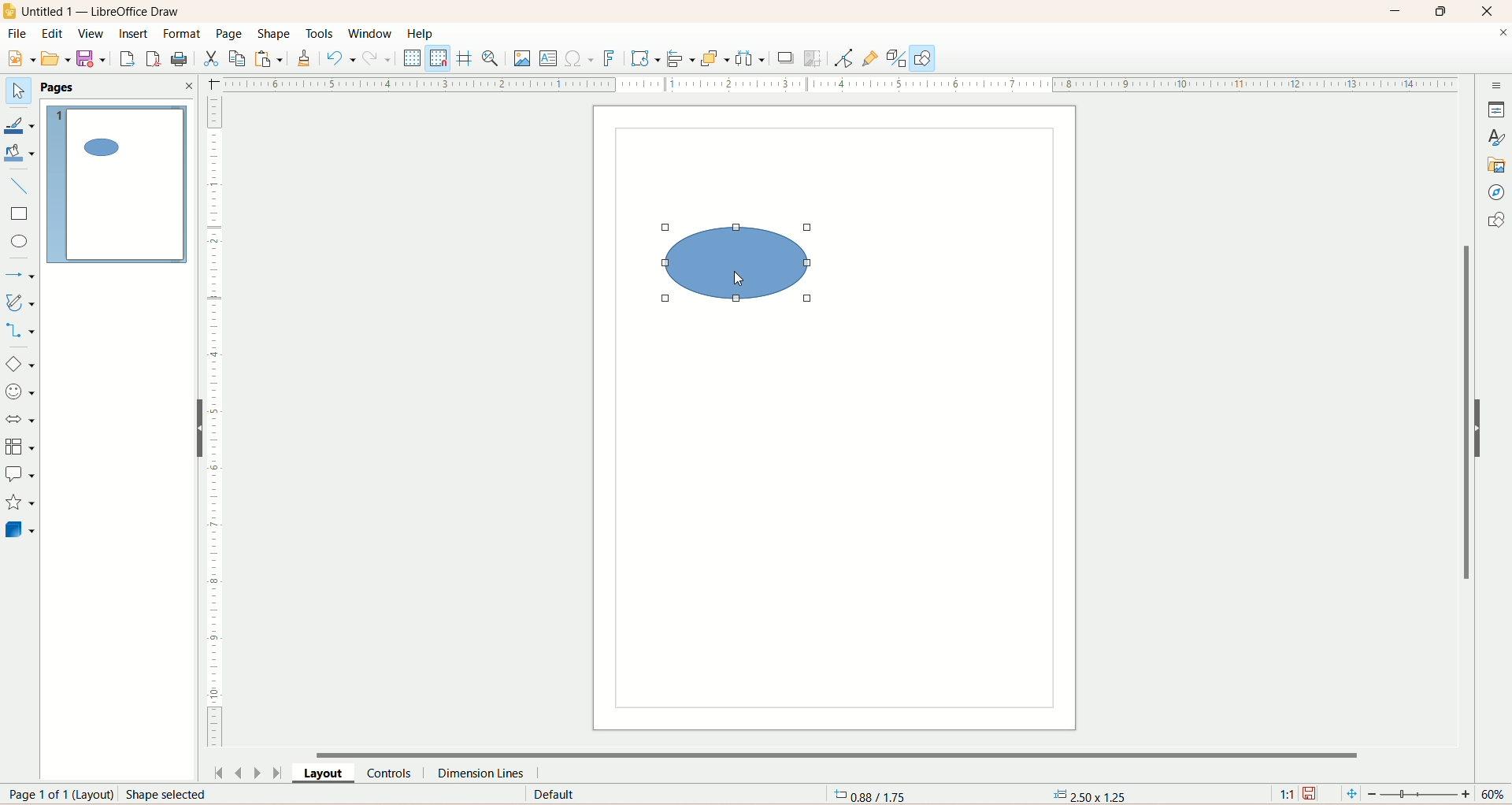 The image size is (1512, 805). What do you see at coordinates (61, 87) in the screenshot?
I see `pages` at bounding box center [61, 87].